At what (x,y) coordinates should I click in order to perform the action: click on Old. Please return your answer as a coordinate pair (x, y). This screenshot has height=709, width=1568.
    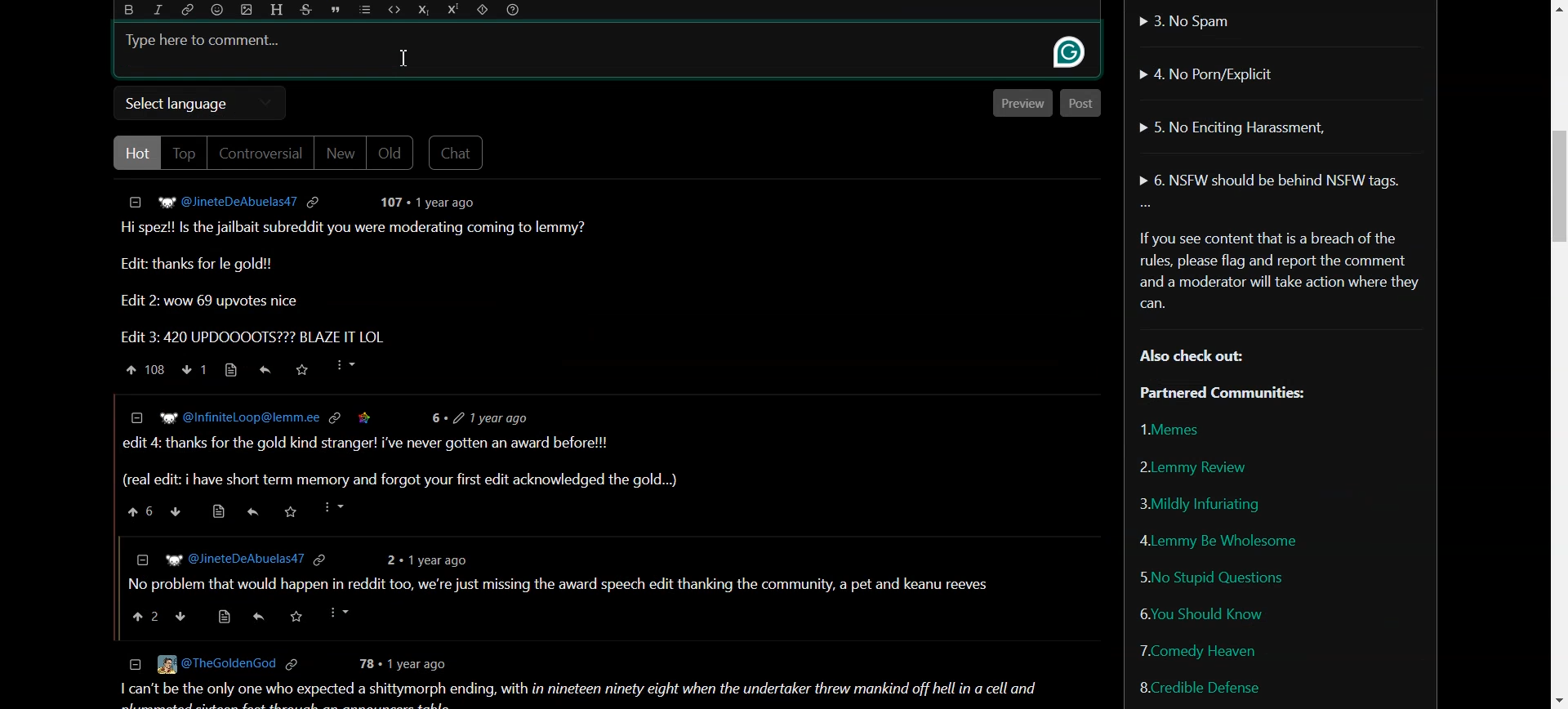
    Looking at the image, I should click on (392, 153).